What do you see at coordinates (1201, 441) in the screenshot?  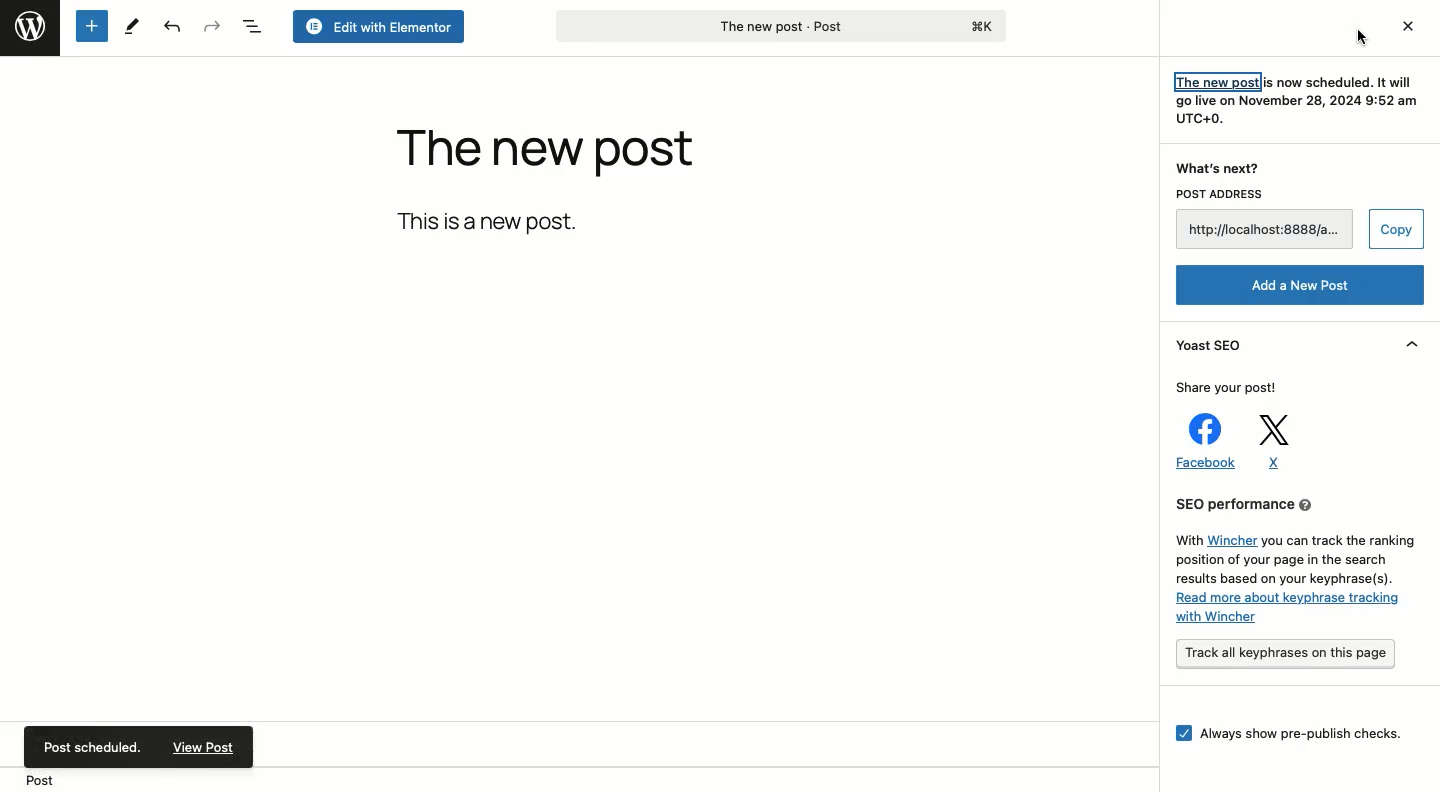 I see `Facebook` at bounding box center [1201, 441].